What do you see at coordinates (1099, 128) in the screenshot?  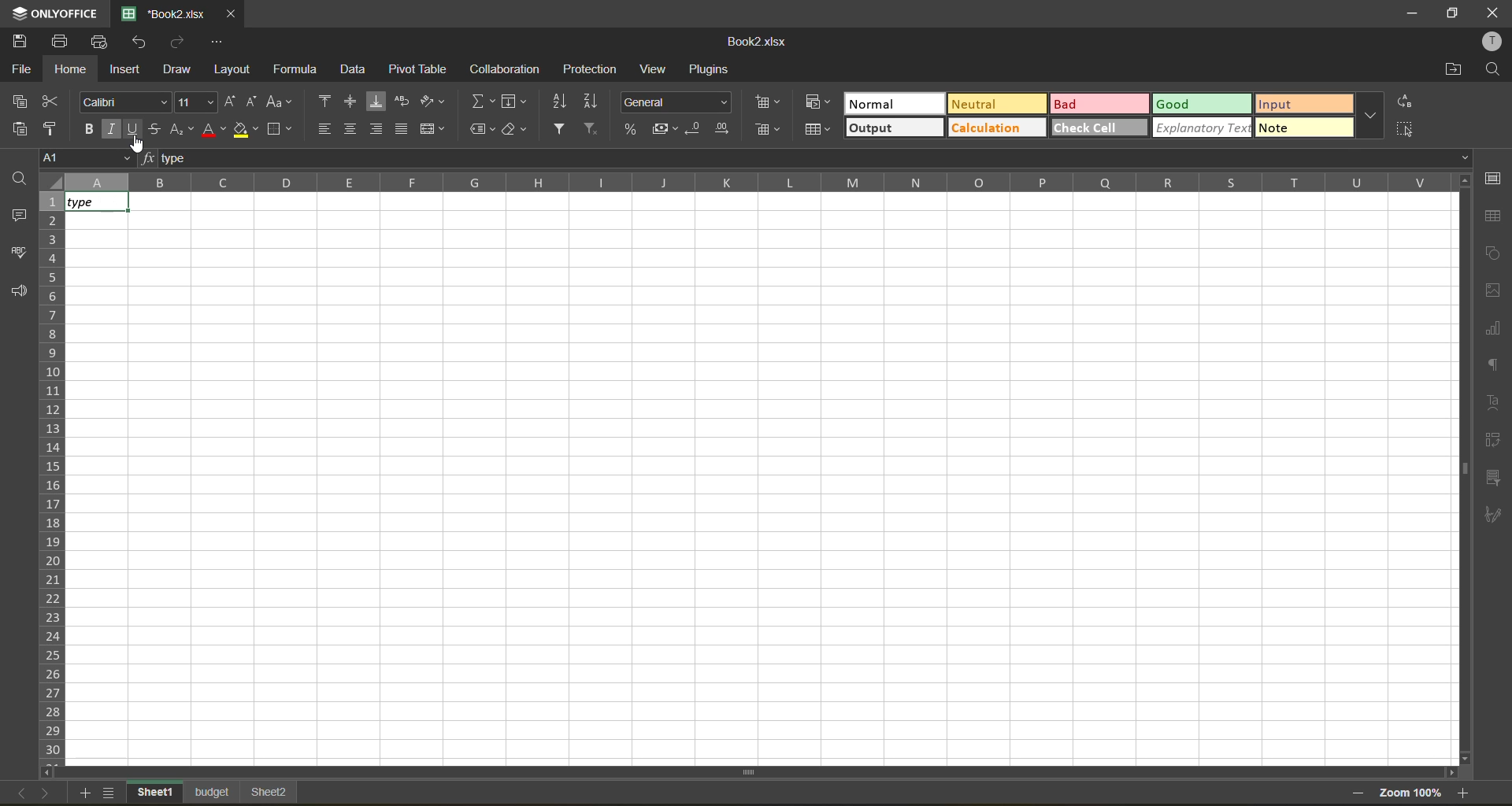 I see `check cell` at bounding box center [1099, 128].